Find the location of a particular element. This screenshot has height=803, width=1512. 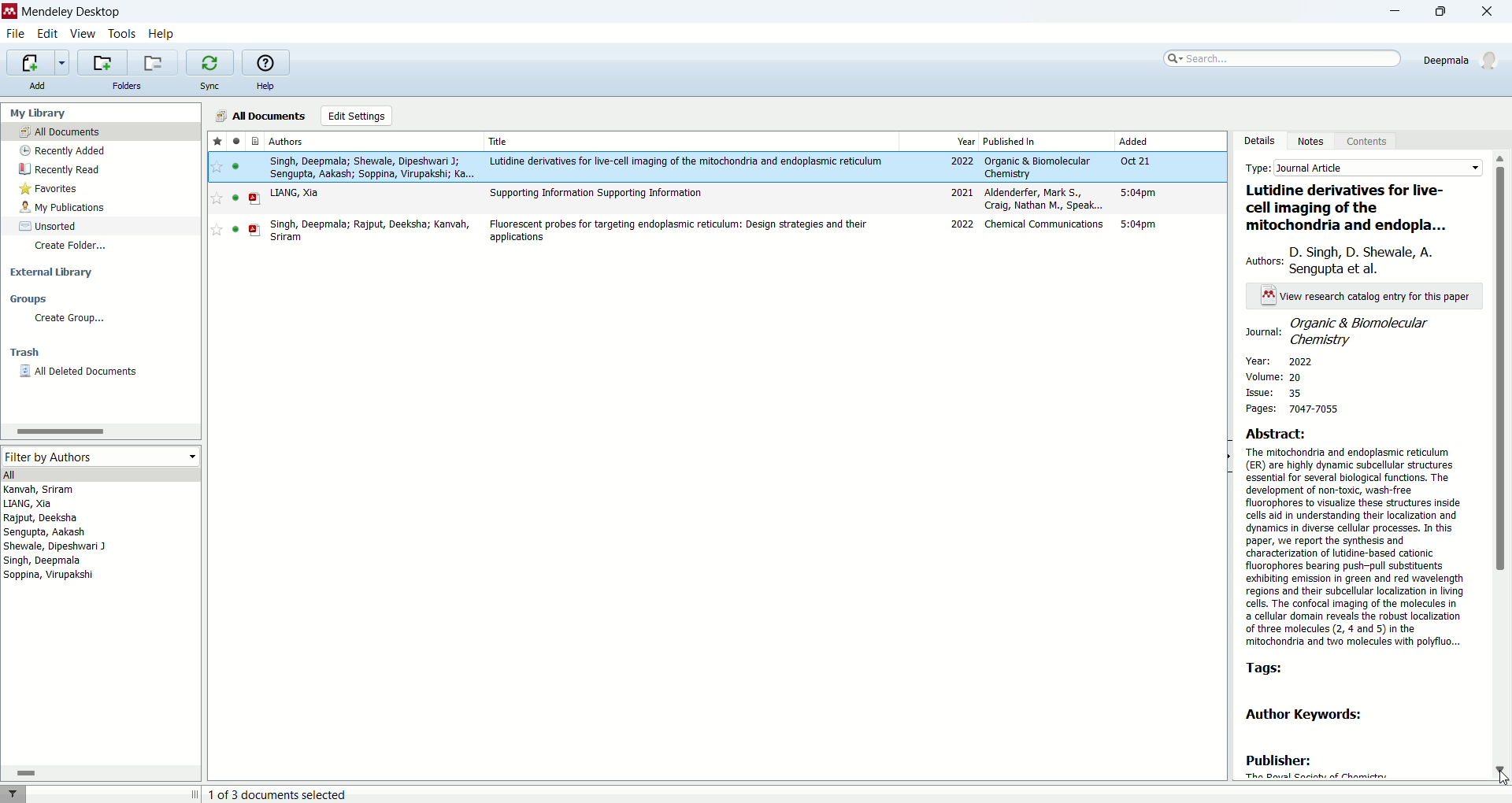

sorted is located at coordinates (49, 226).